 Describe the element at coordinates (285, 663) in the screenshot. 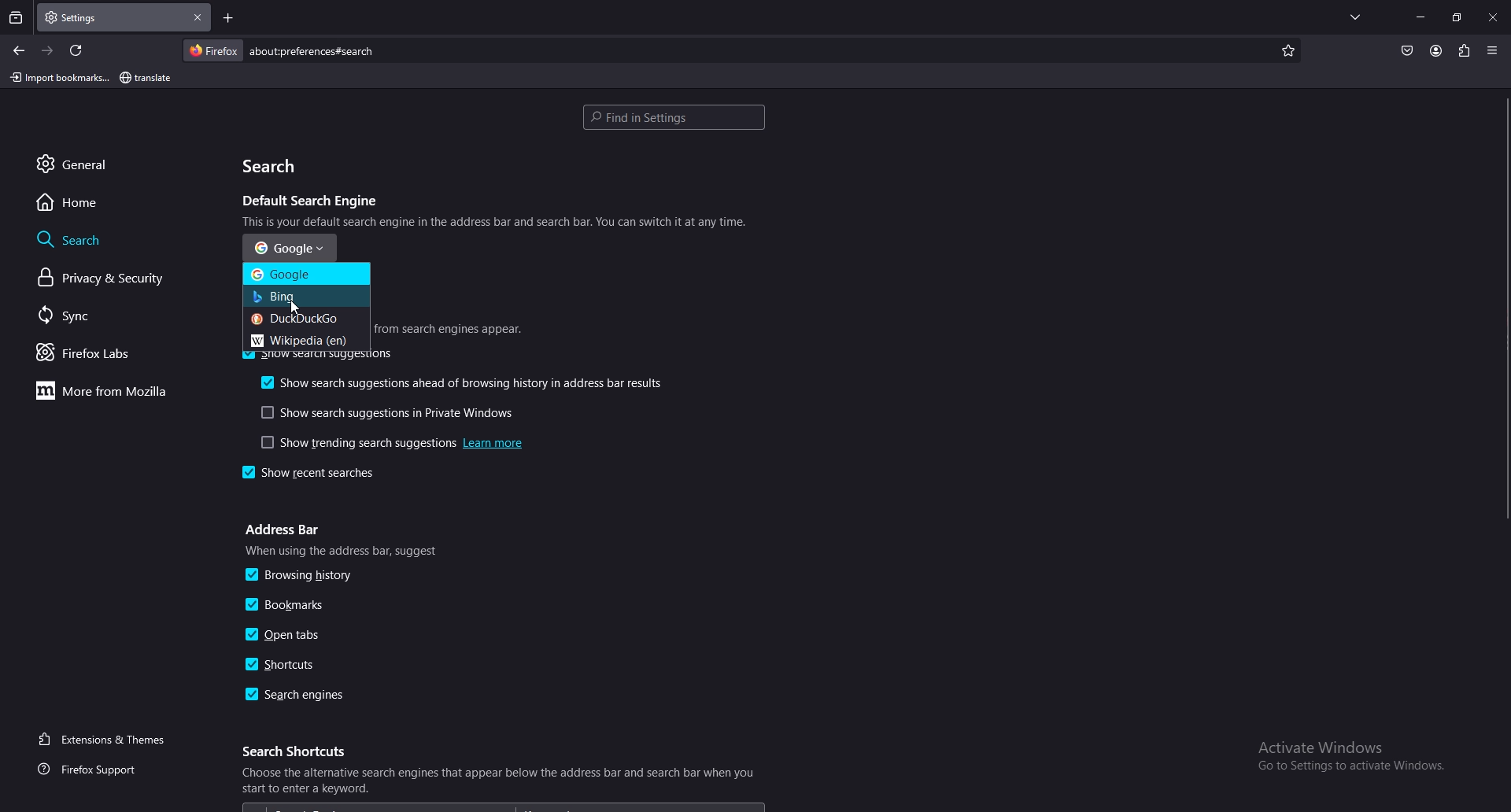

I see `shortcuts` at that location.